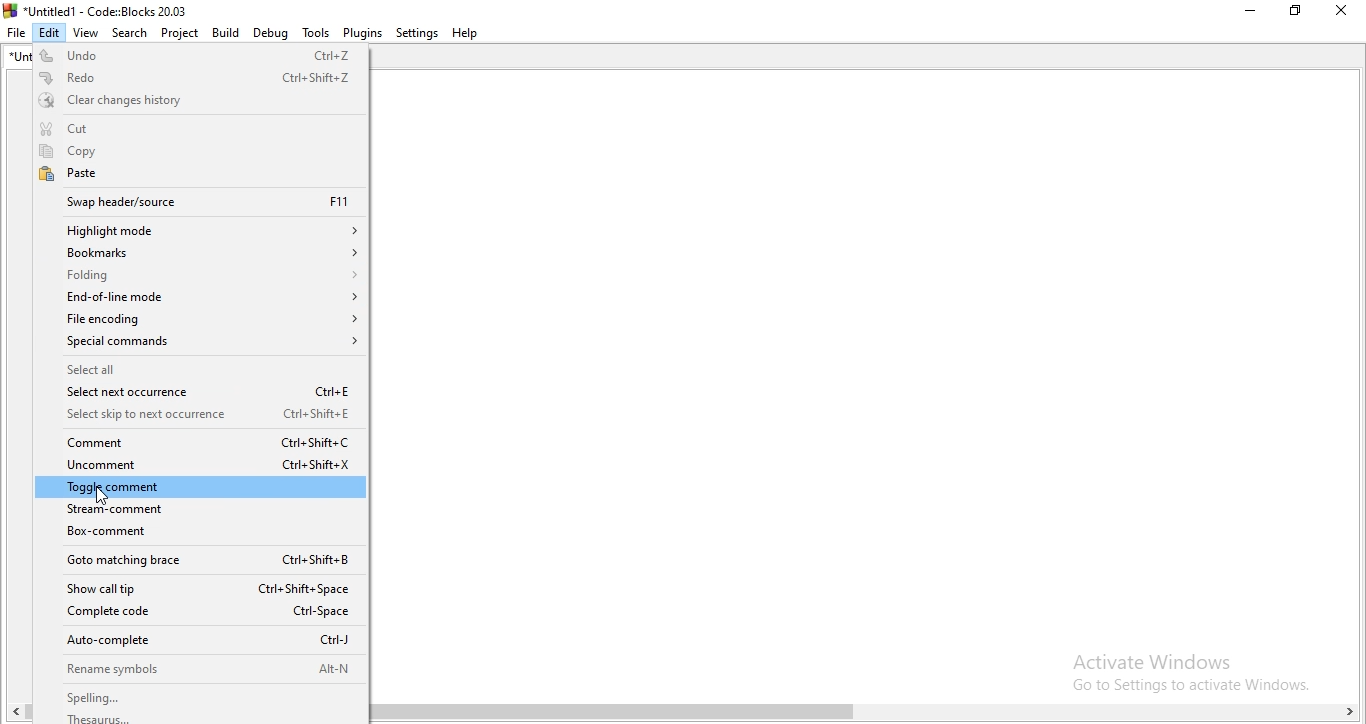 Image resolution: width=1366 pixels, height=724 pixels. What do you see at coordinates (182, 33) in the screenshot?
I see `Project ` at bounding box center [182, 33].